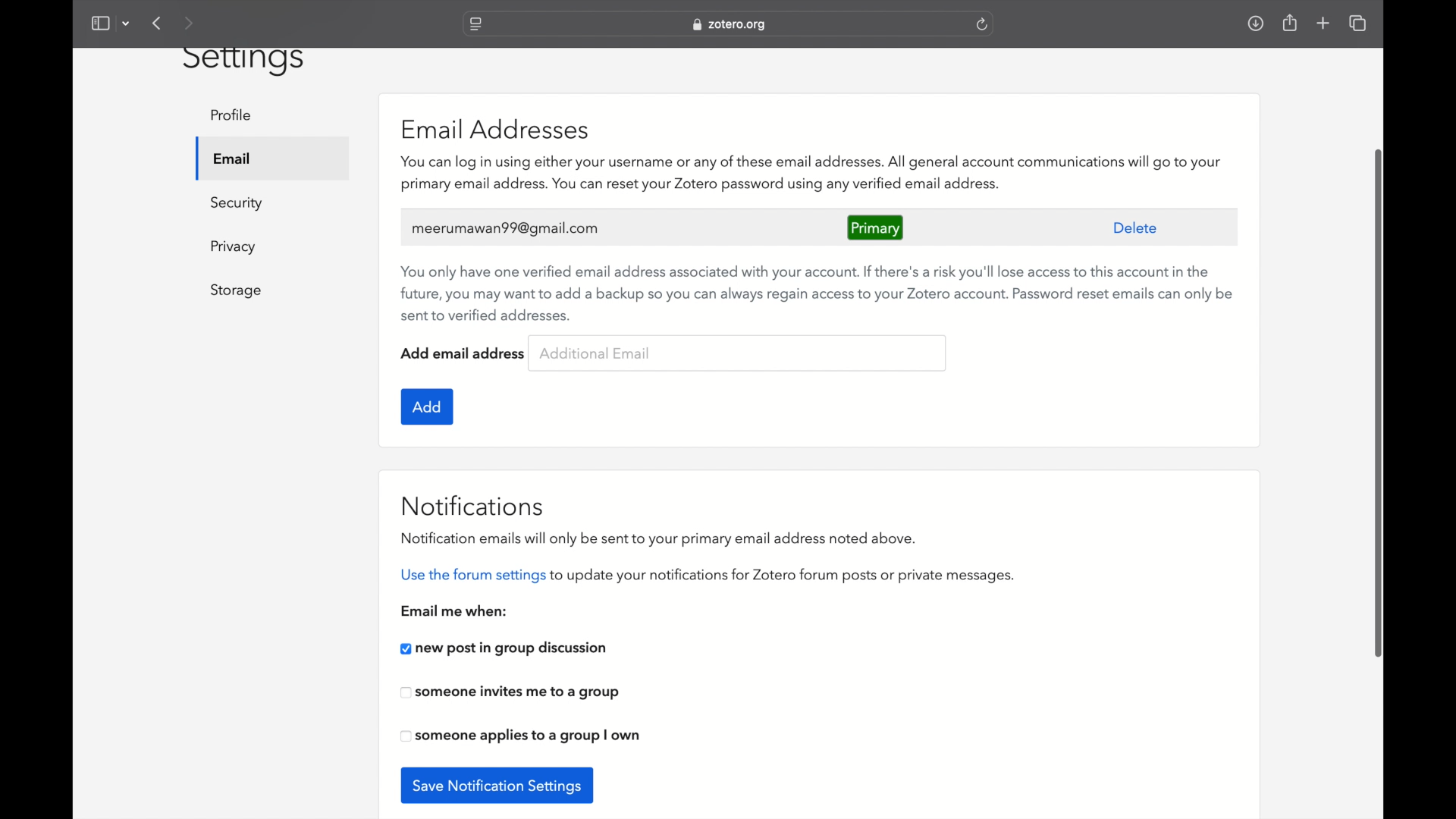  Describe the element at coordinates (504, 228) in the screenshot. I see `user's email address` at that location.